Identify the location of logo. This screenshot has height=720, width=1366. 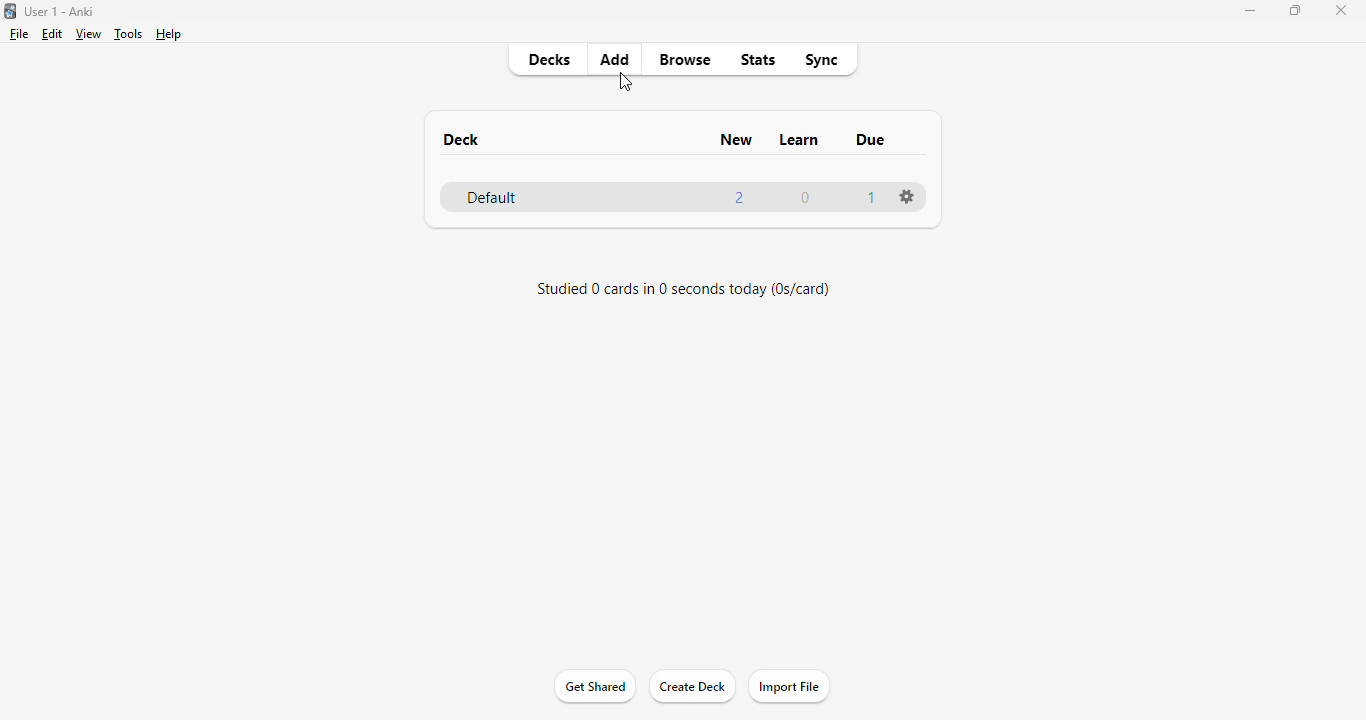
(11, 11).